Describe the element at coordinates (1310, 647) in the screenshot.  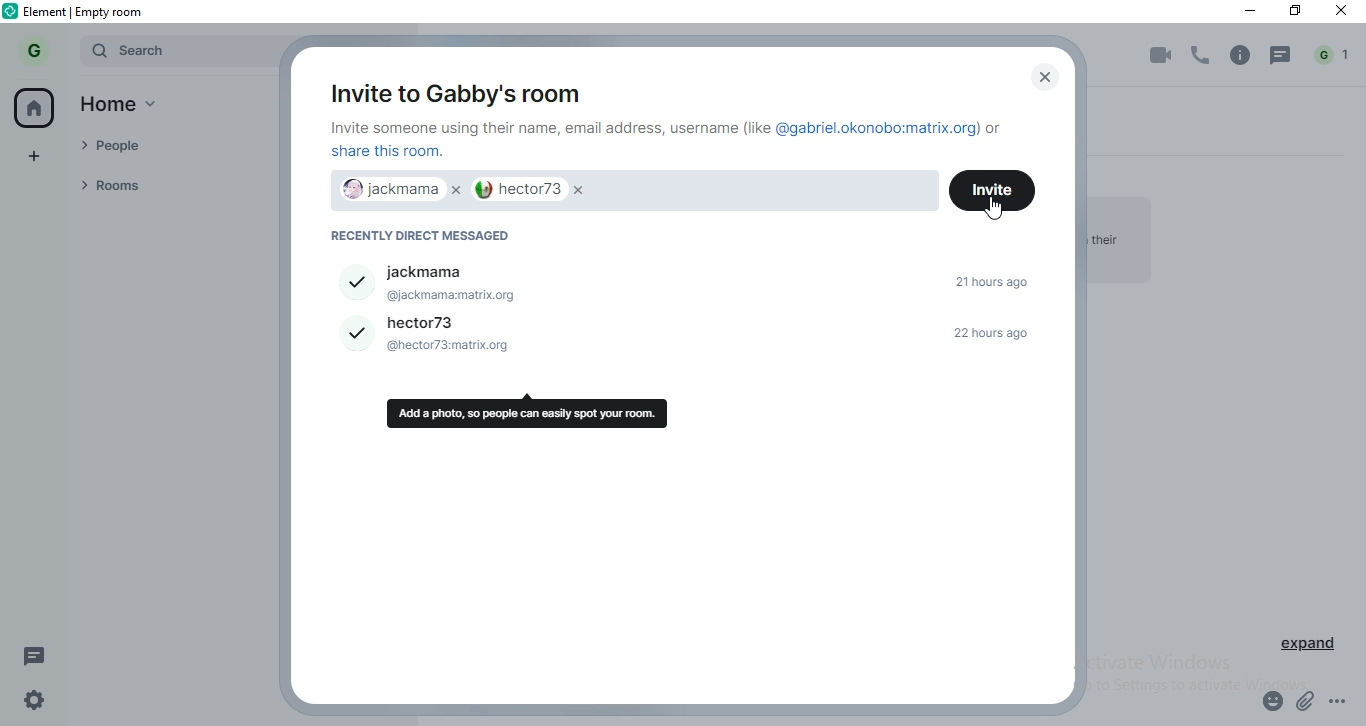
I see `expand` at that location.